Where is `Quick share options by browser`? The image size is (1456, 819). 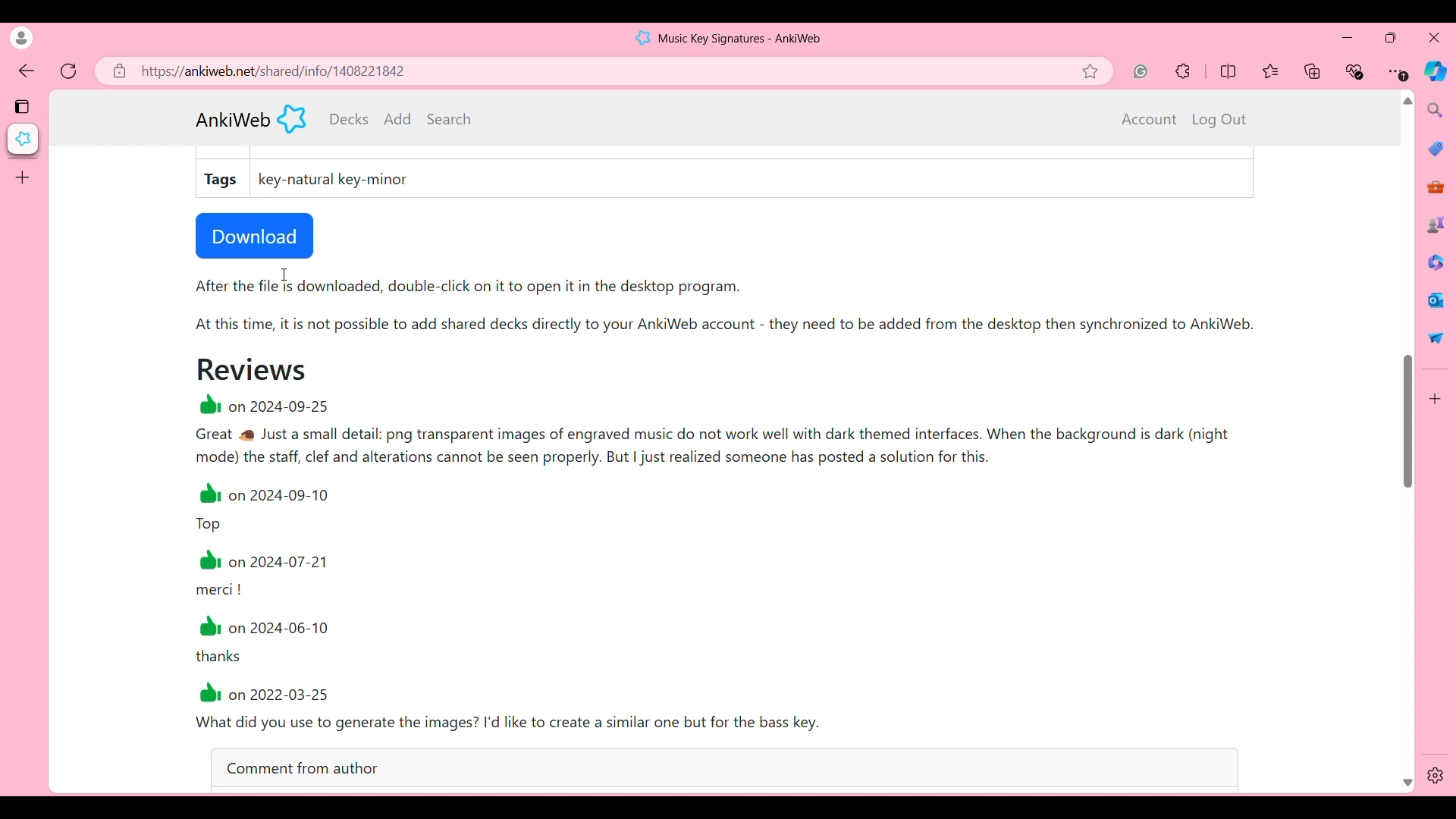 Quick share options by browser is located at coordinates (1436, 337).